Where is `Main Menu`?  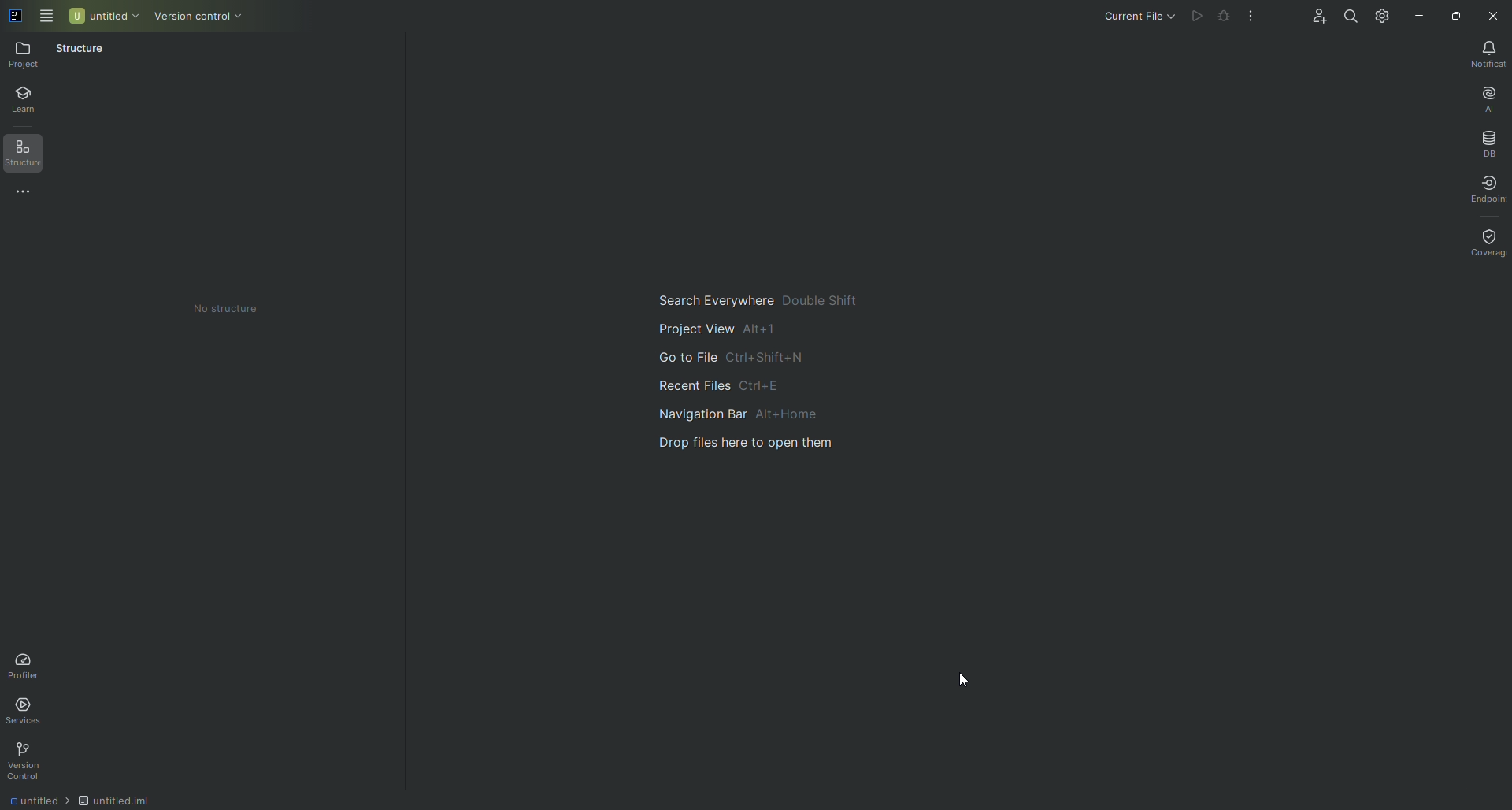
Main Menu is located at coordinates (47, 14).